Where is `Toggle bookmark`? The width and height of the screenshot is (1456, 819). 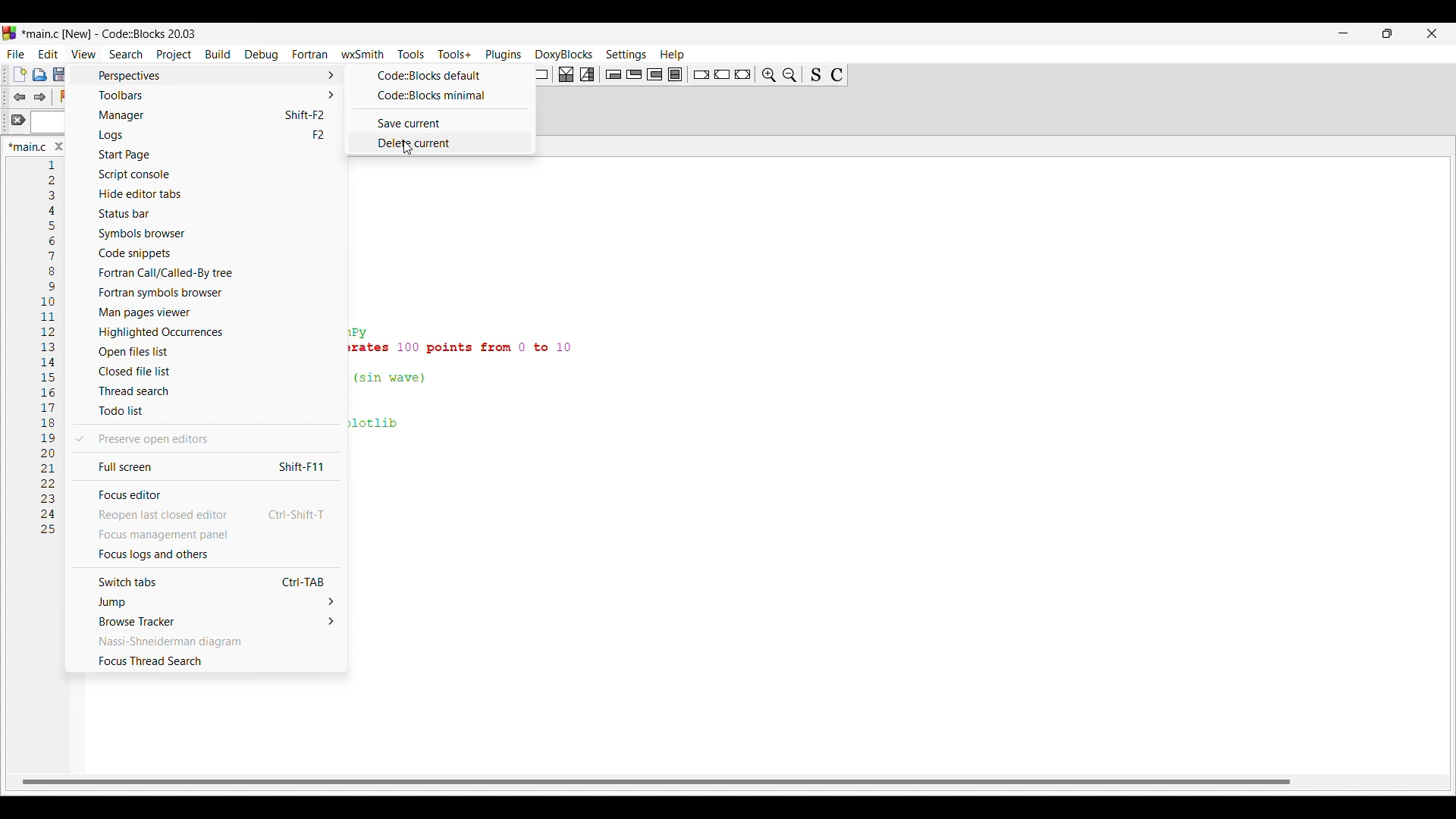
Toggle bookmark is located at coordinates (65, 96).